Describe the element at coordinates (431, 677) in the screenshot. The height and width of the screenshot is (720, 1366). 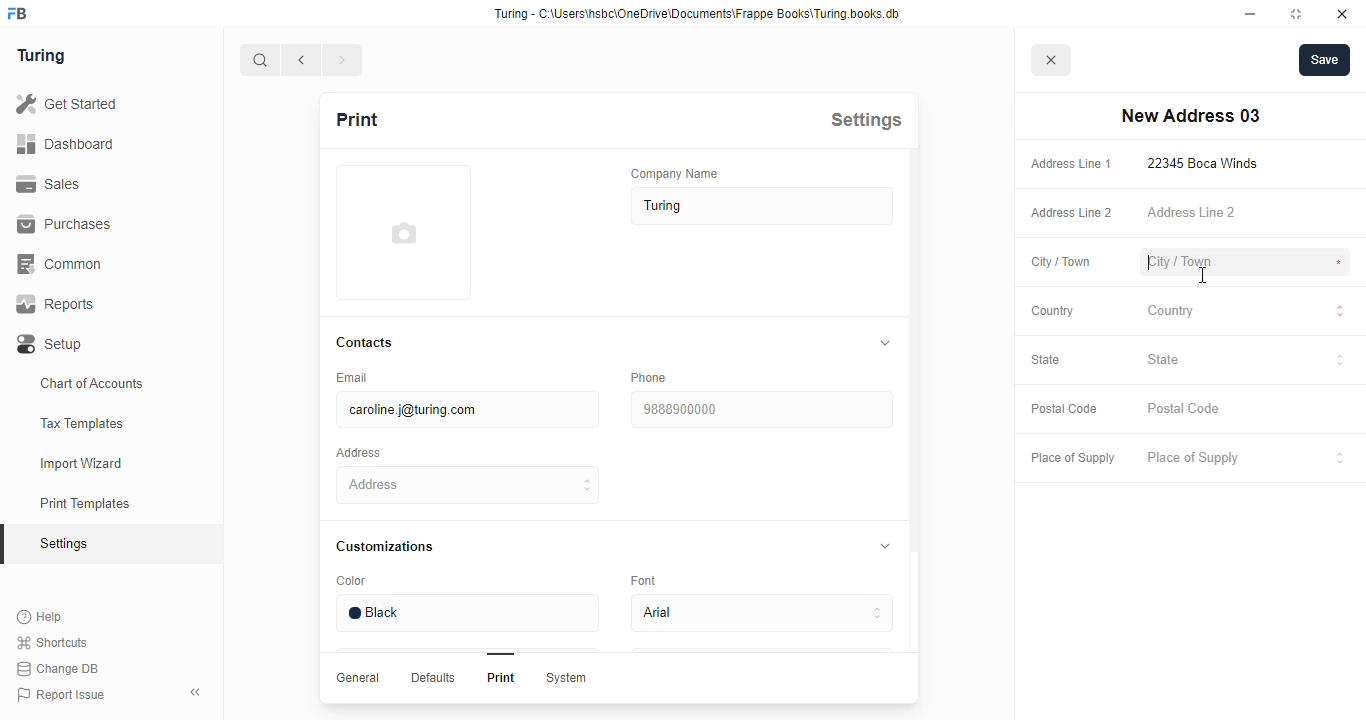
I see `Defaults` at that location.